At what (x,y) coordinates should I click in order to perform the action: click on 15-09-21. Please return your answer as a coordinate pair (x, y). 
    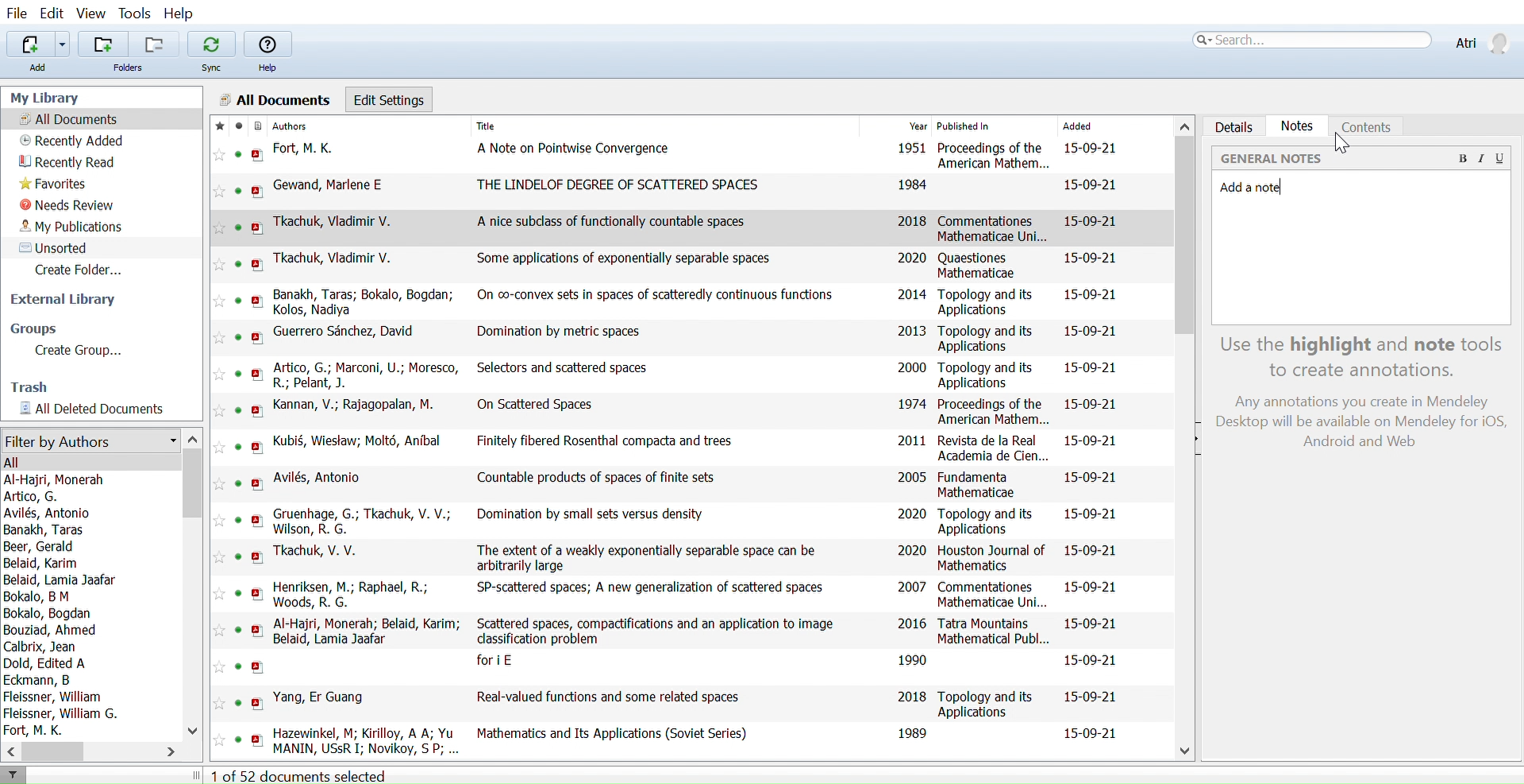
    Looking at the image, I should click on (1091, 513).